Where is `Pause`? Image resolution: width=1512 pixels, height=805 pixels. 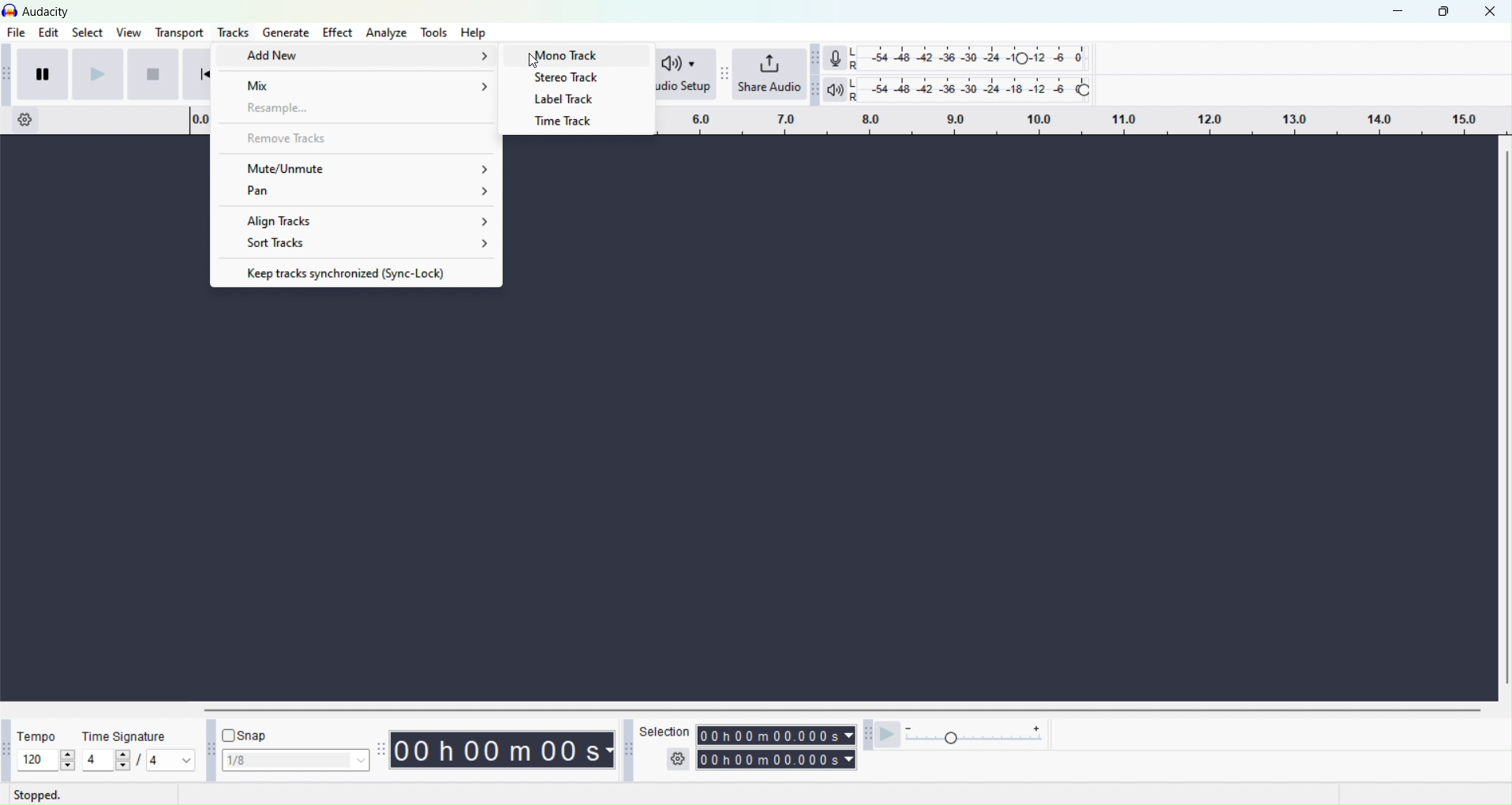
Pause is located at coordinates (46, 73).